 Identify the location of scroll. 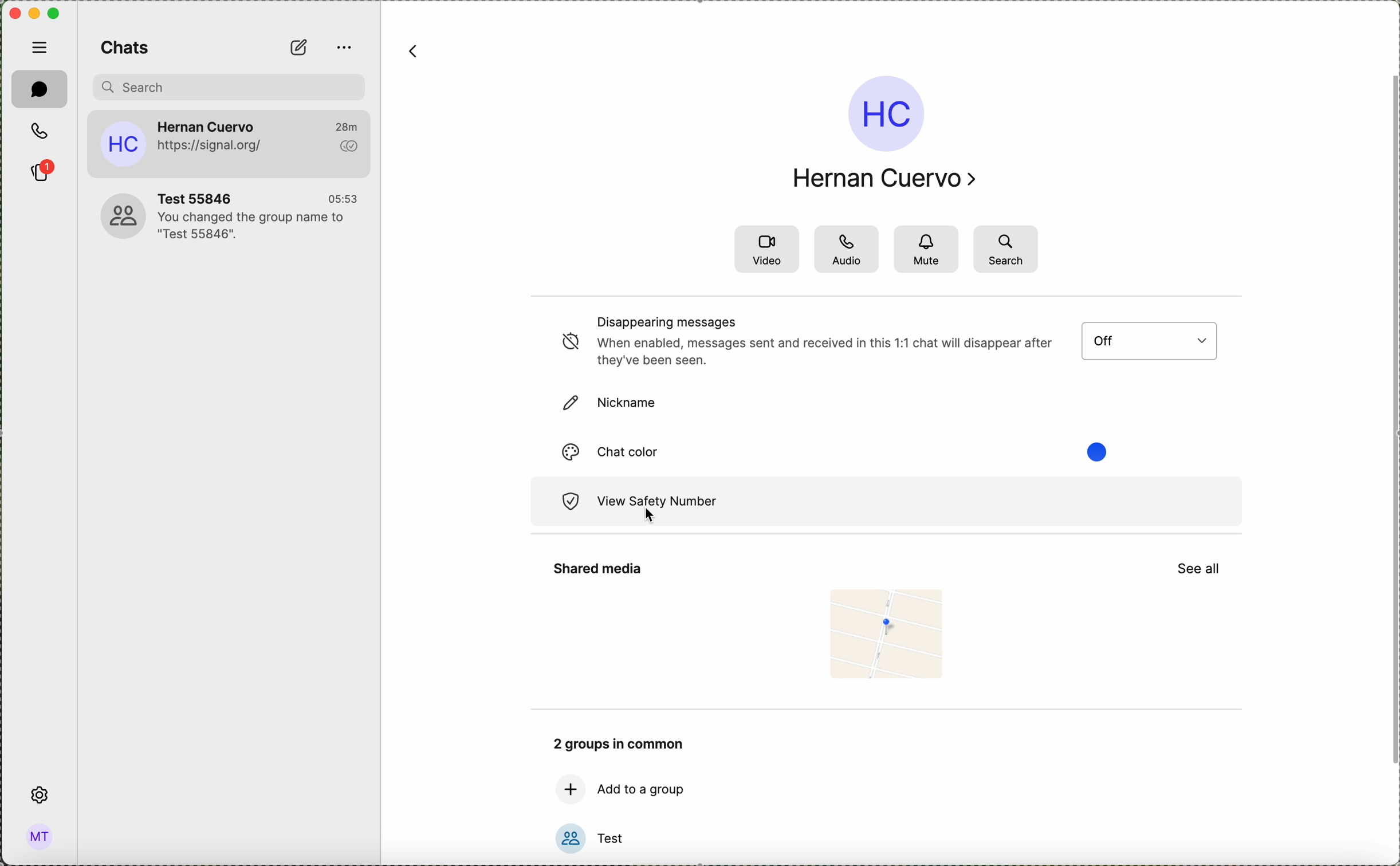
(1391, 428).